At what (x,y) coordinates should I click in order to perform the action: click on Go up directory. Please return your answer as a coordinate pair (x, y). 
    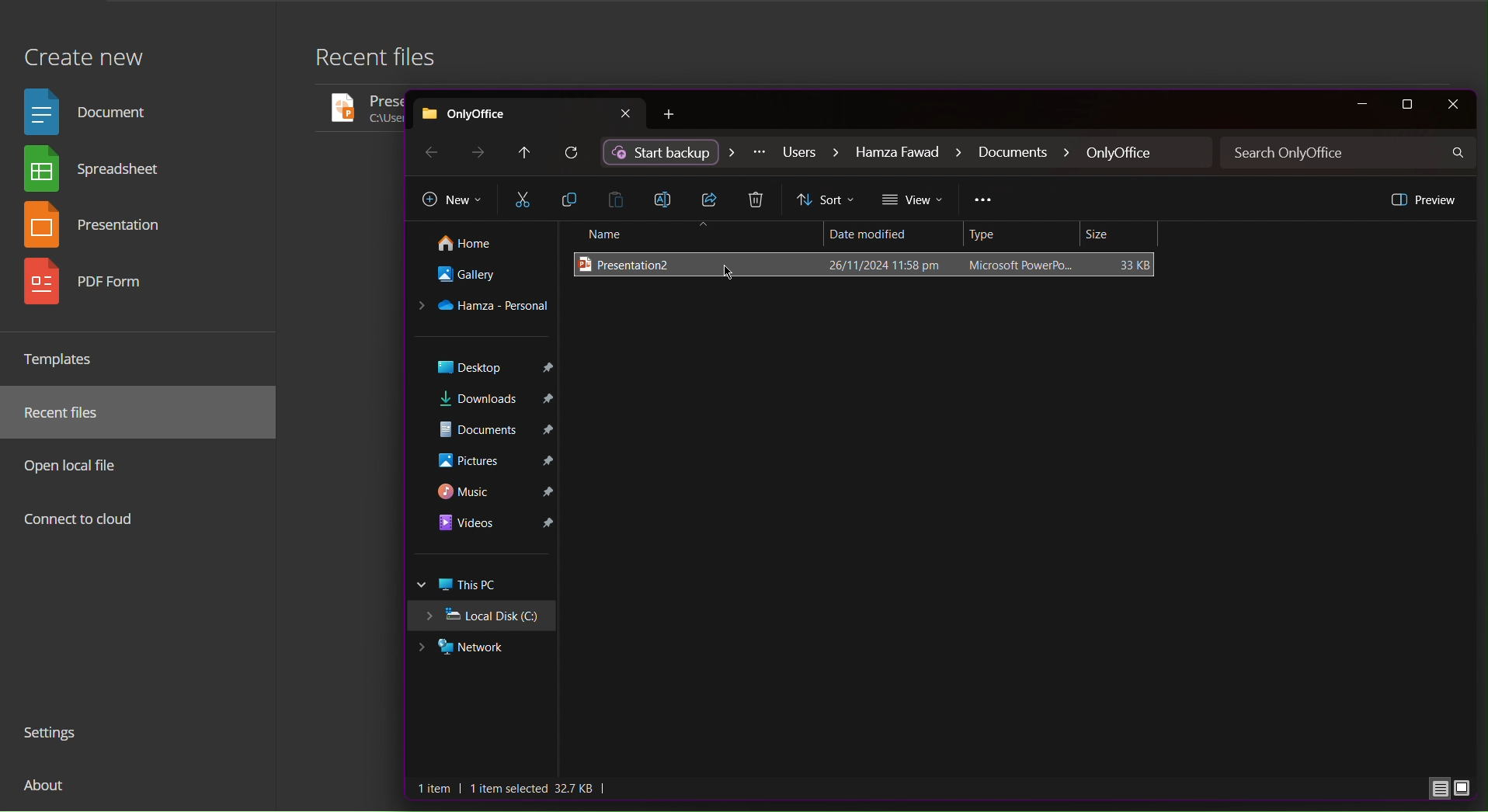
    Looking at the image, I should click on (523, 153).